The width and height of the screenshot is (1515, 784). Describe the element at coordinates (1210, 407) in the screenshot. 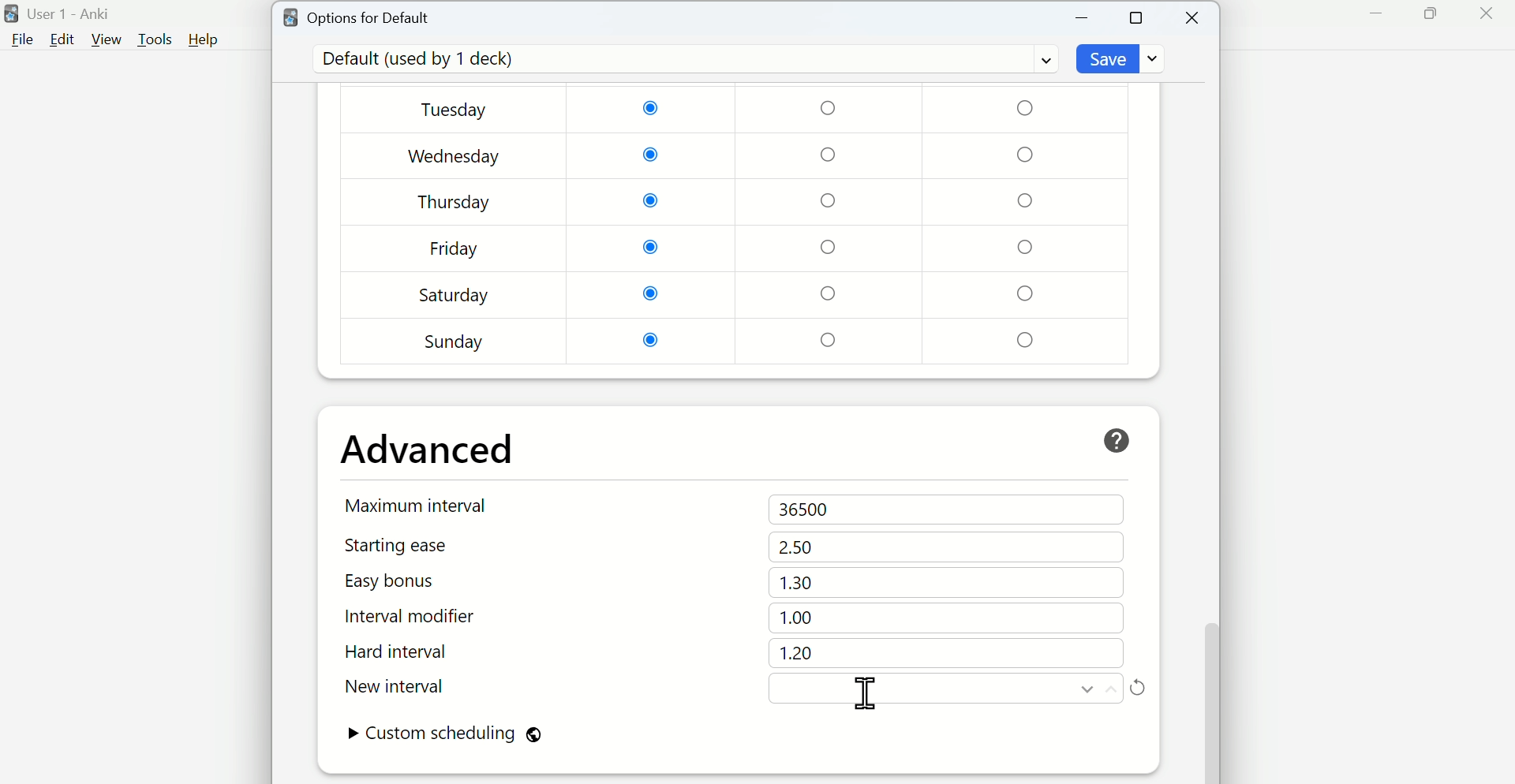

I see `Vertical scroll bar` at that location.